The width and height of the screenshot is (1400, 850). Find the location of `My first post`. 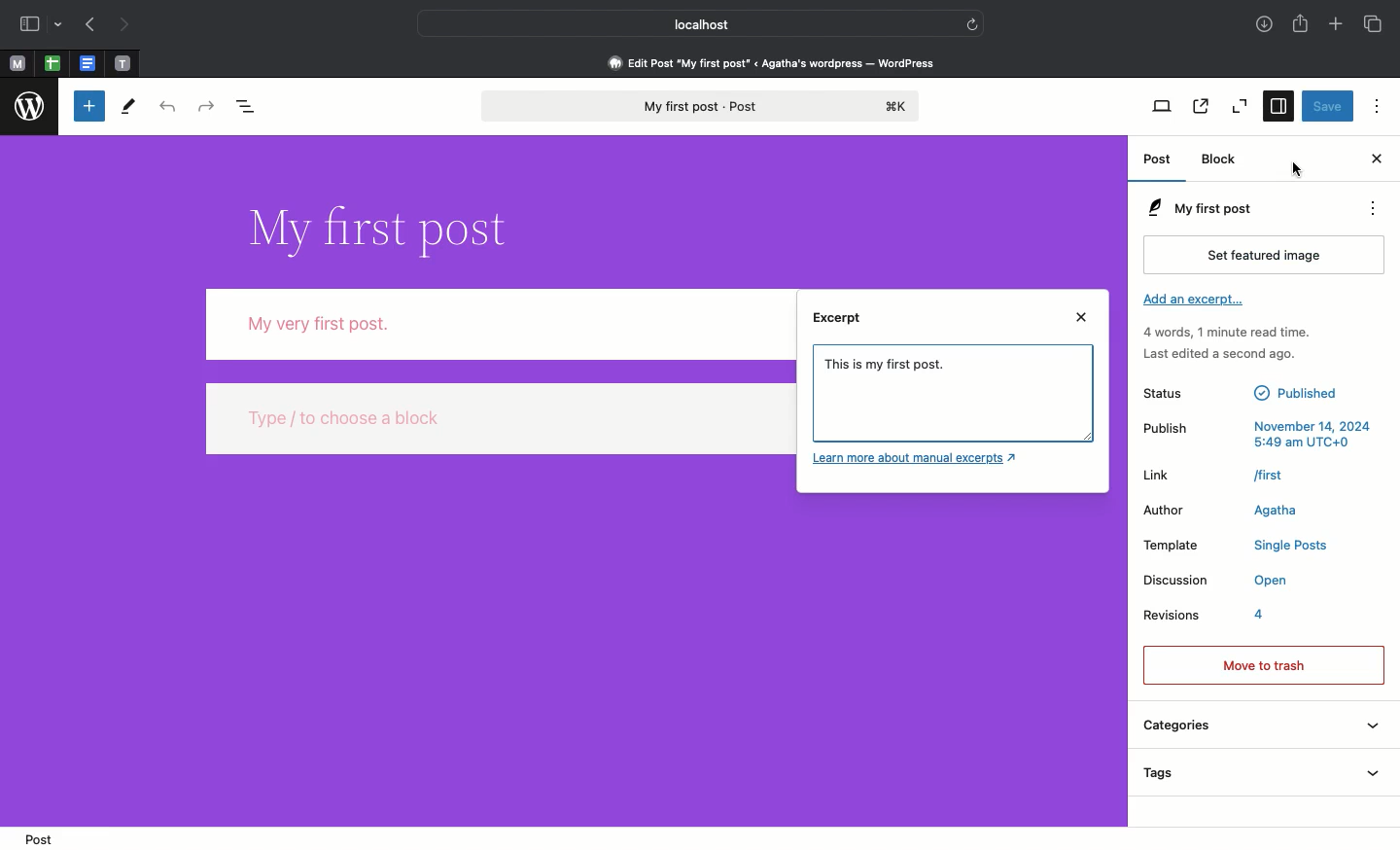

My first post is located at coordinates (1197, 208).